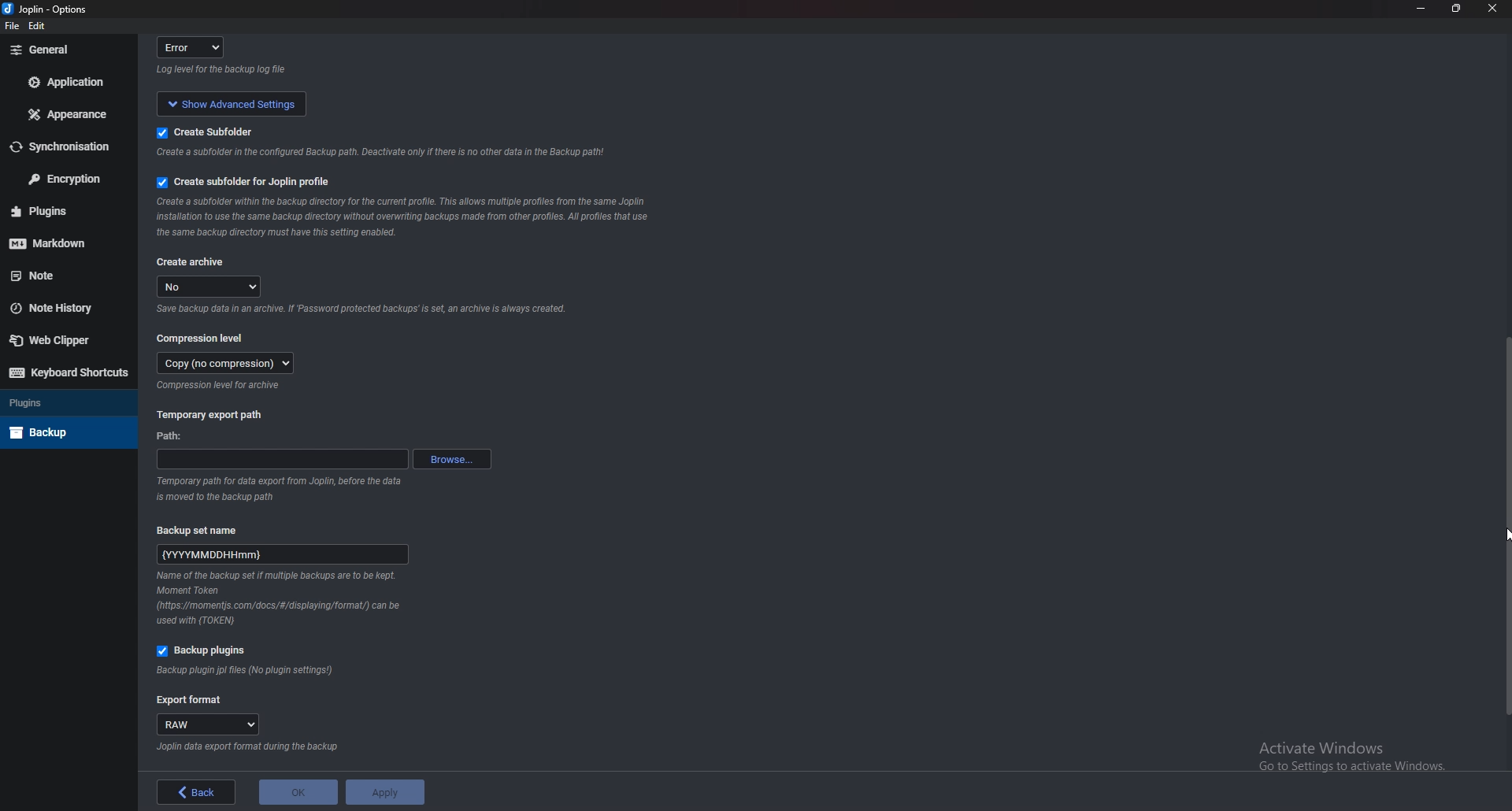 This screenshot has width=1512, height=811. Describe the element at coordinates (246, 747) in the screenshot. I see `Info` at that location.